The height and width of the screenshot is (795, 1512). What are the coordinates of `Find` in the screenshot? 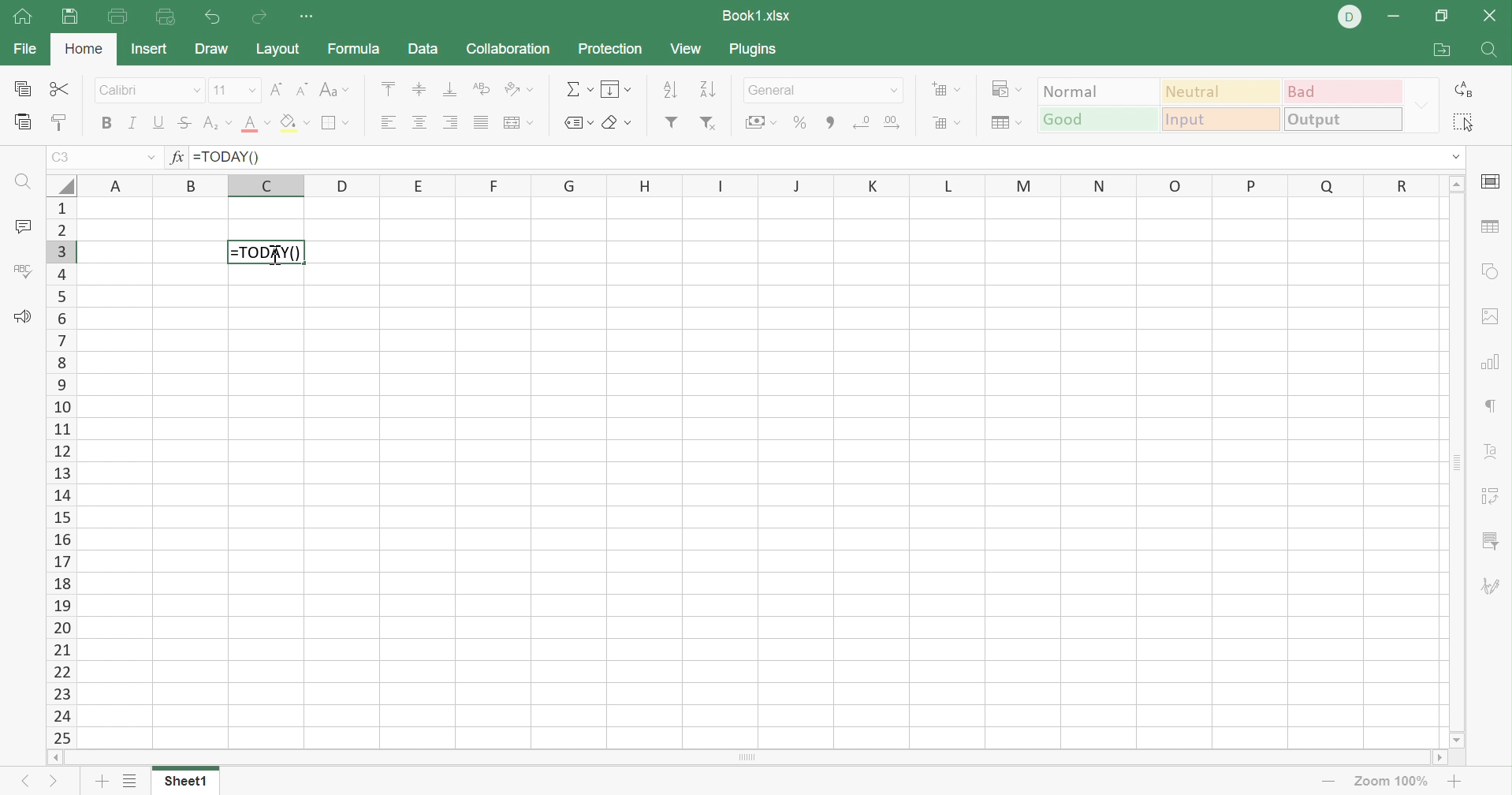 It's located at (23, 181).